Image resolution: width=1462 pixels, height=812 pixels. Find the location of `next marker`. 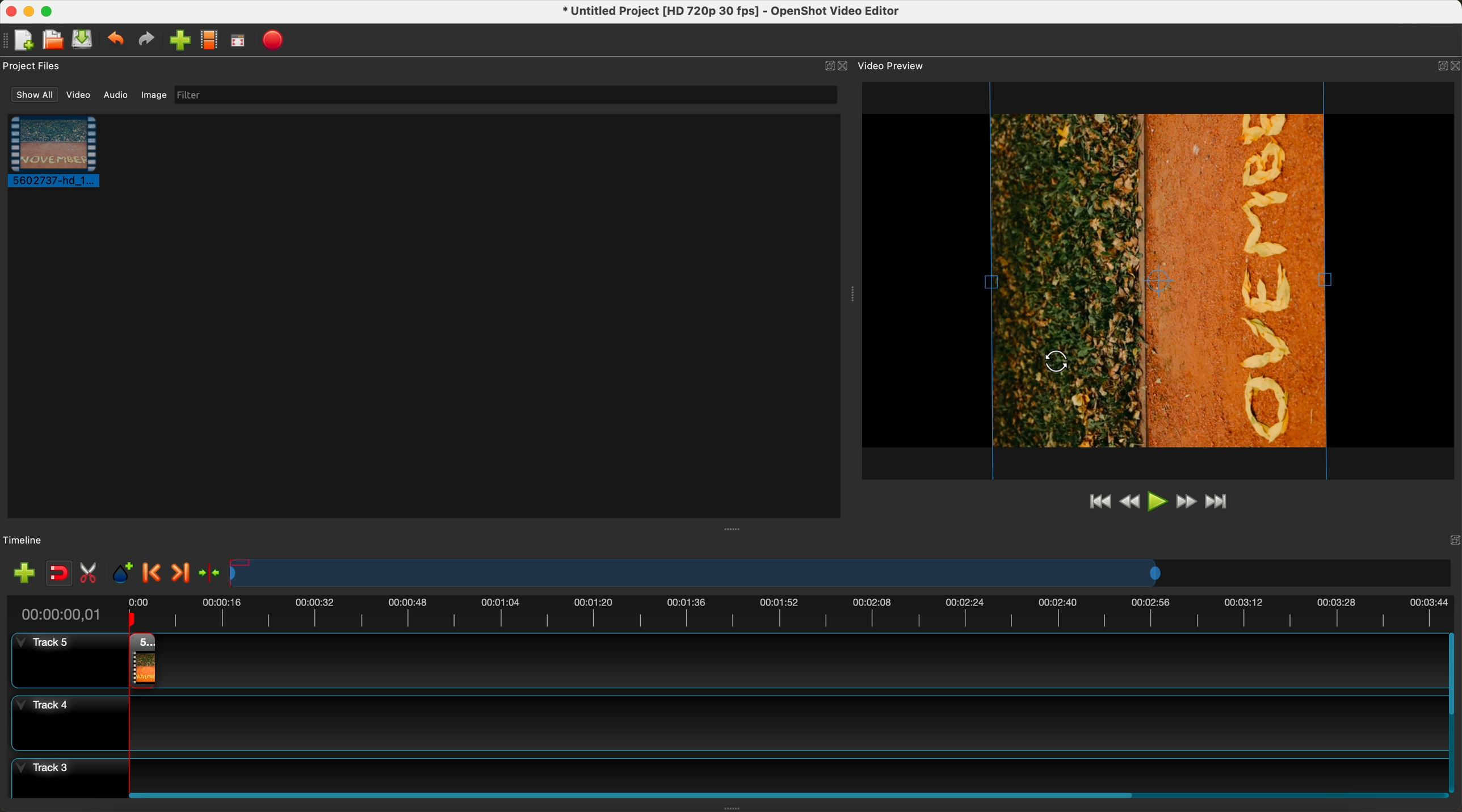

next marker is located at coordinates (184, 570).